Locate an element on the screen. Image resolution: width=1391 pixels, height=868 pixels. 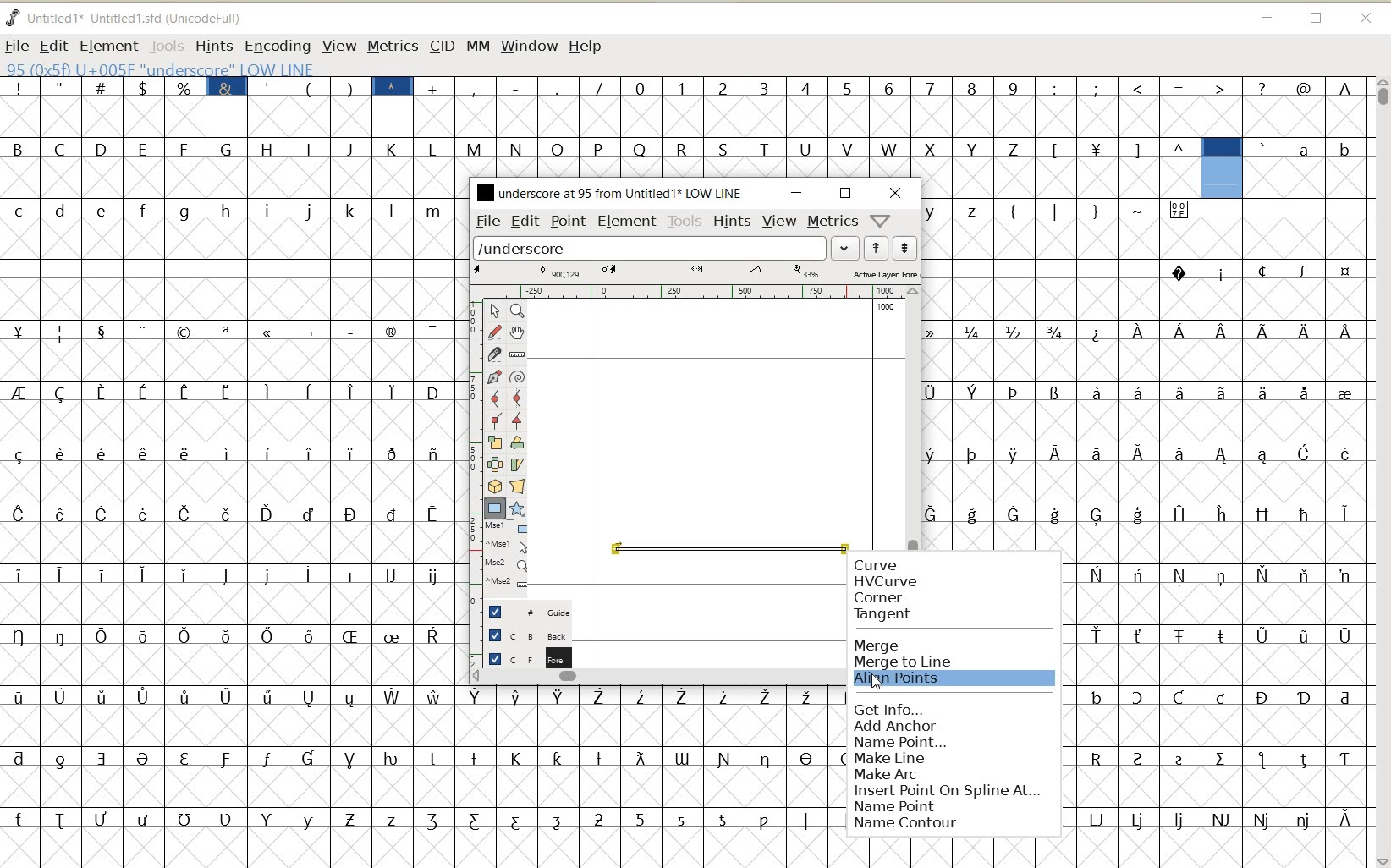
get info is located at coordinates (950, 708).